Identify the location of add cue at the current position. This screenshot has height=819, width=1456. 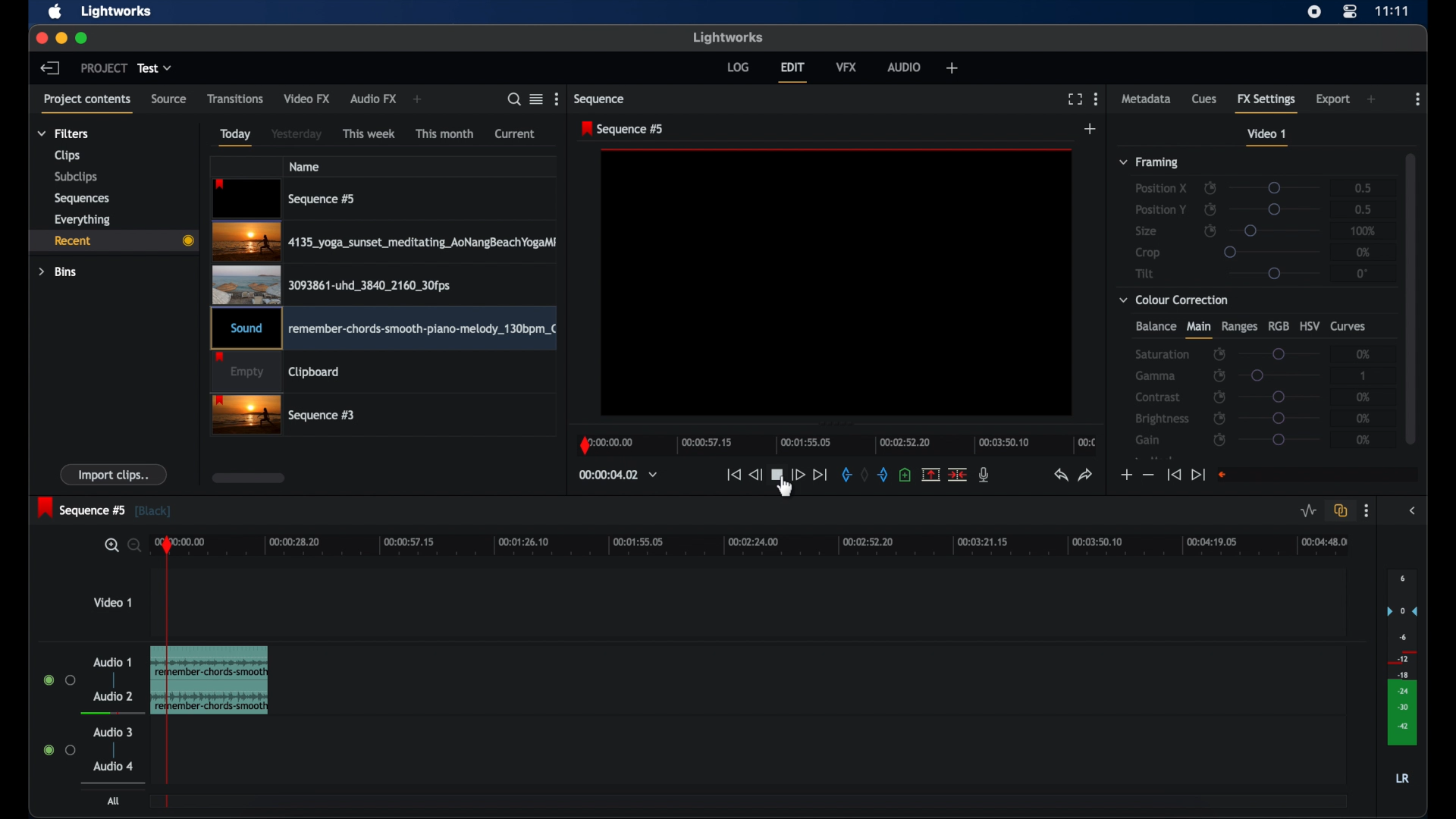
(905, 474).